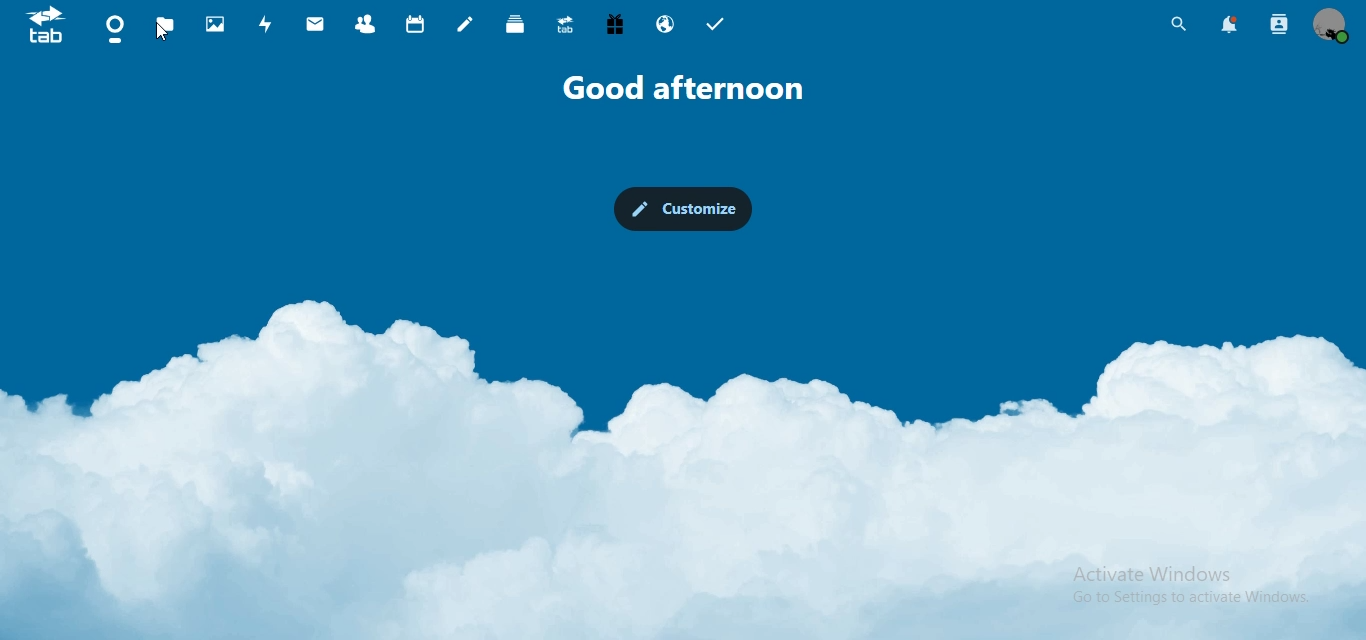  What do you see at coordinates (1331, 27) in the screenshot?
I see `manage profile` at bounding box center [1331, 27].